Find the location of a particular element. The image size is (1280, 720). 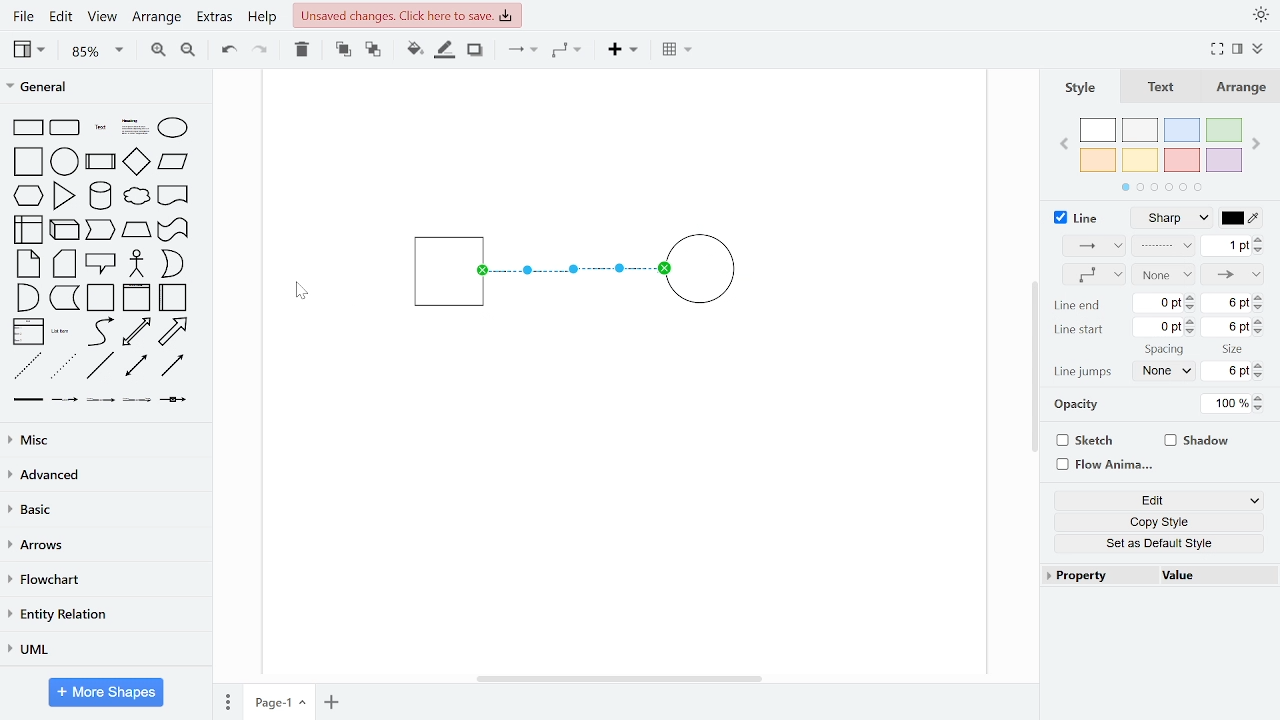

arrow is located at coordinates (173, 332).